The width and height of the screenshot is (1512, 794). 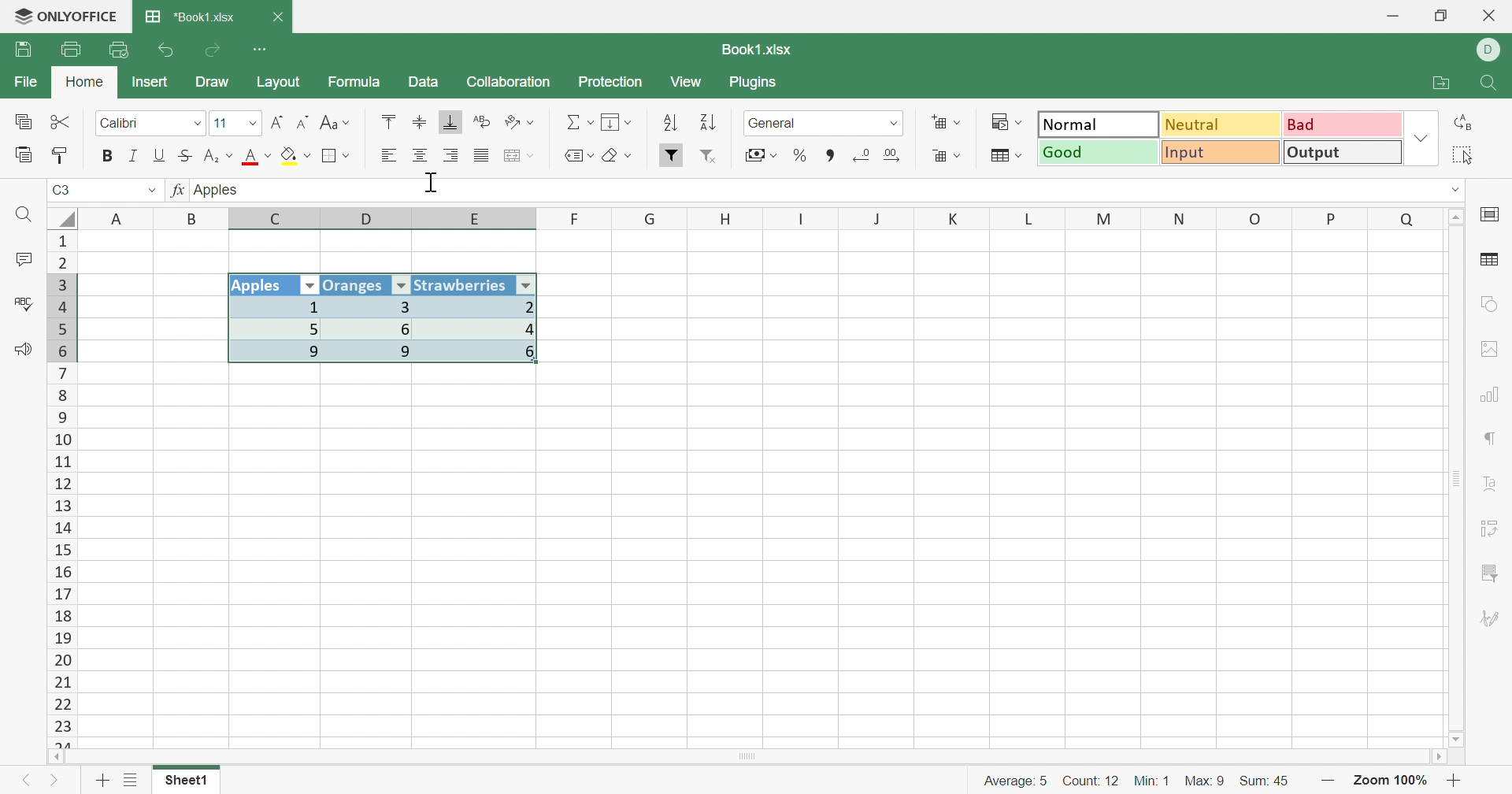 What do you see at coordinates (453, 155) in the screenshot?
I see `Align Right` at bounding box center [453, 155].